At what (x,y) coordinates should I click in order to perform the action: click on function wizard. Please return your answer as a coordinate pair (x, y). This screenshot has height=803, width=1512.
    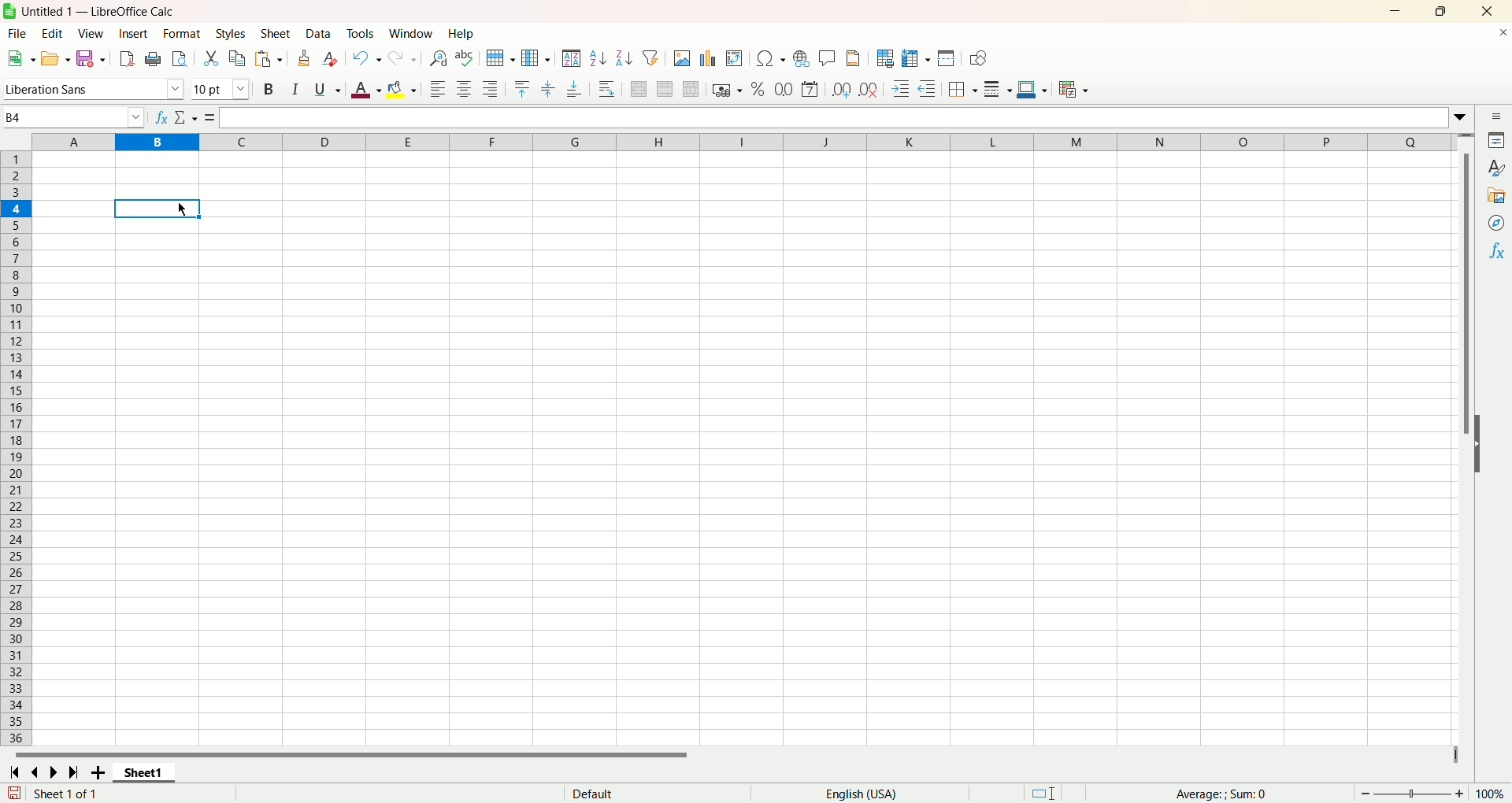
    Looking at the image, I should click on (158, 117).